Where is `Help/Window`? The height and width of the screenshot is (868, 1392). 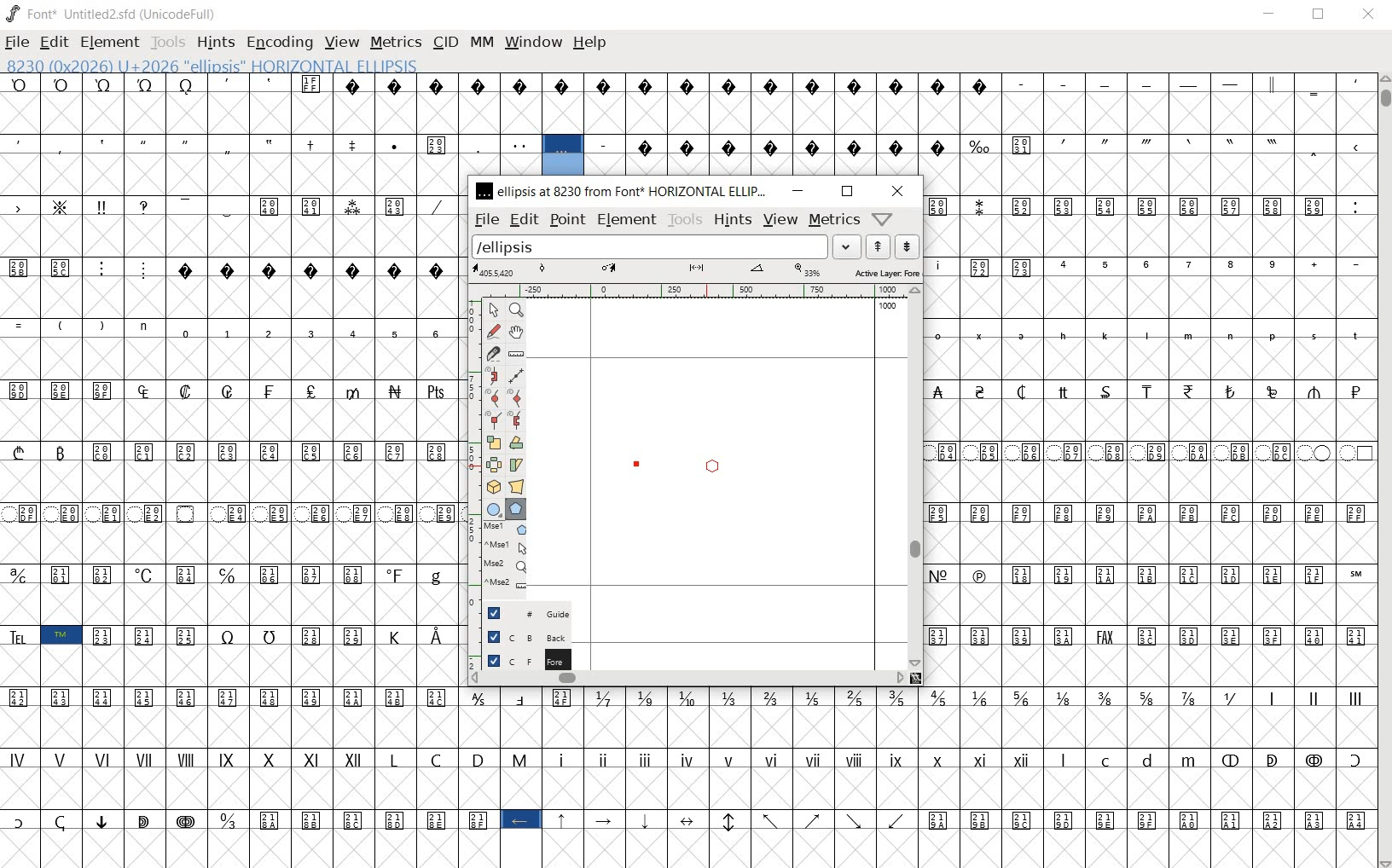 Help/Window is located at coordinates (881, 219).